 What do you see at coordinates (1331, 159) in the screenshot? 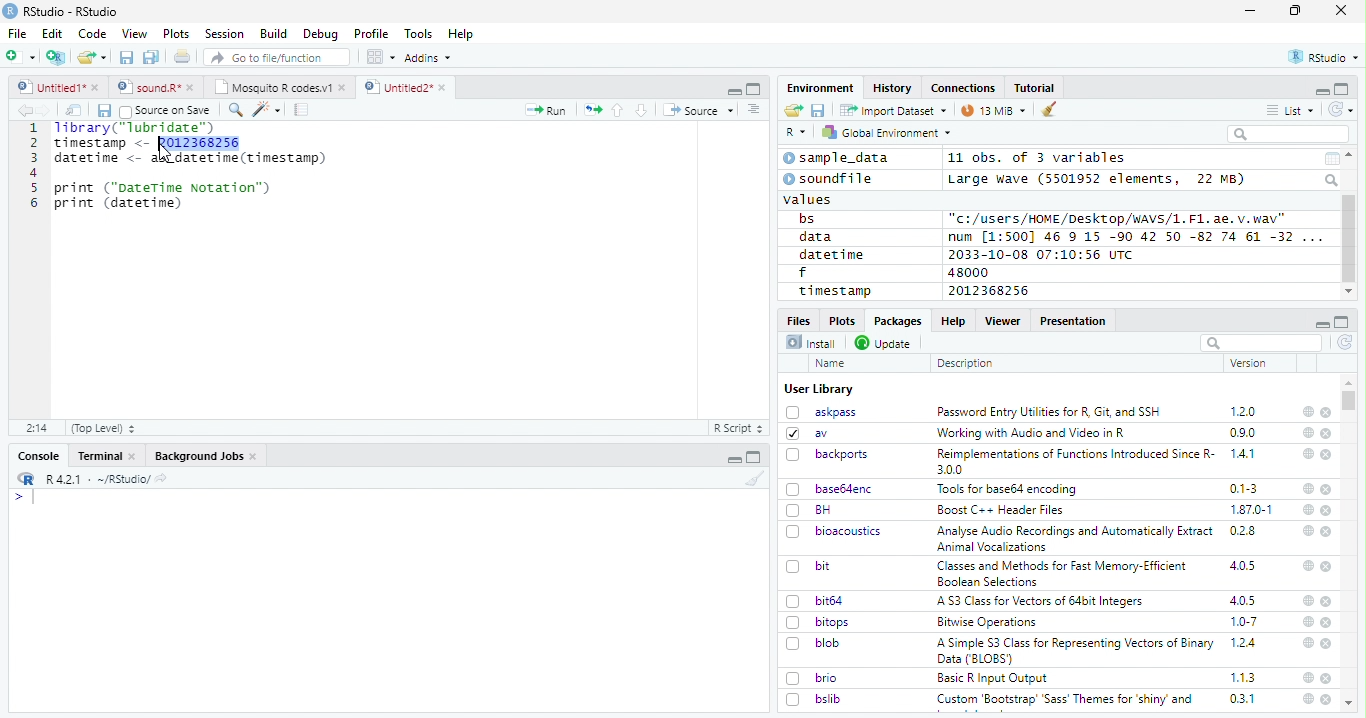
I see `Calendar` at bounding box center [1331, 159].